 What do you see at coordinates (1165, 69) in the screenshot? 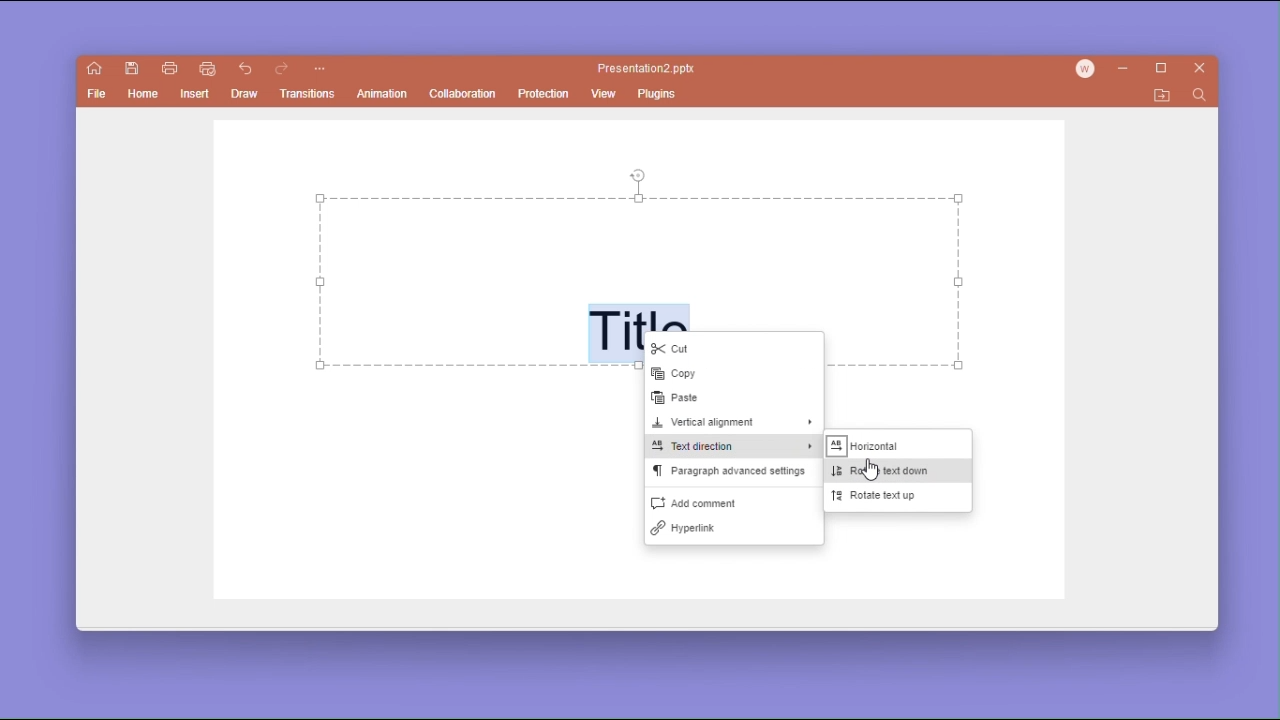
I see `maximize` at bounding box center [1165, 69].